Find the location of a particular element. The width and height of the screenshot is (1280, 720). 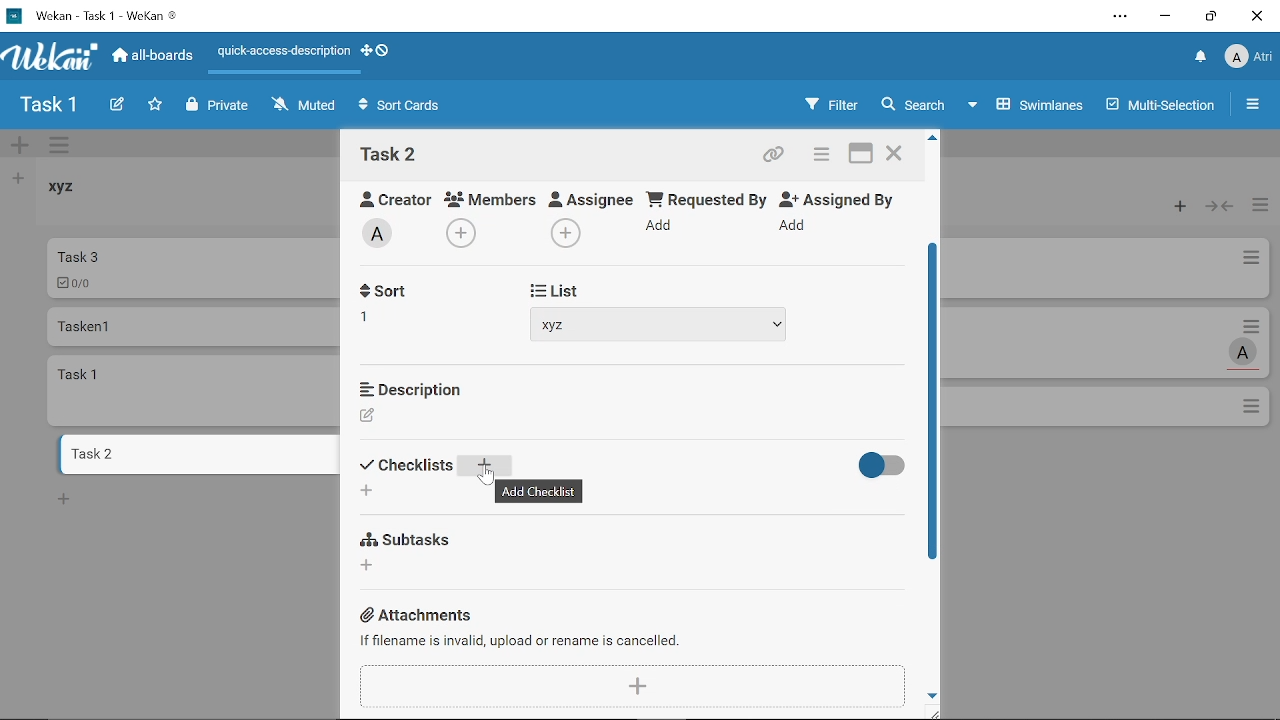

Quick access description is located at coordinates (280, 55).